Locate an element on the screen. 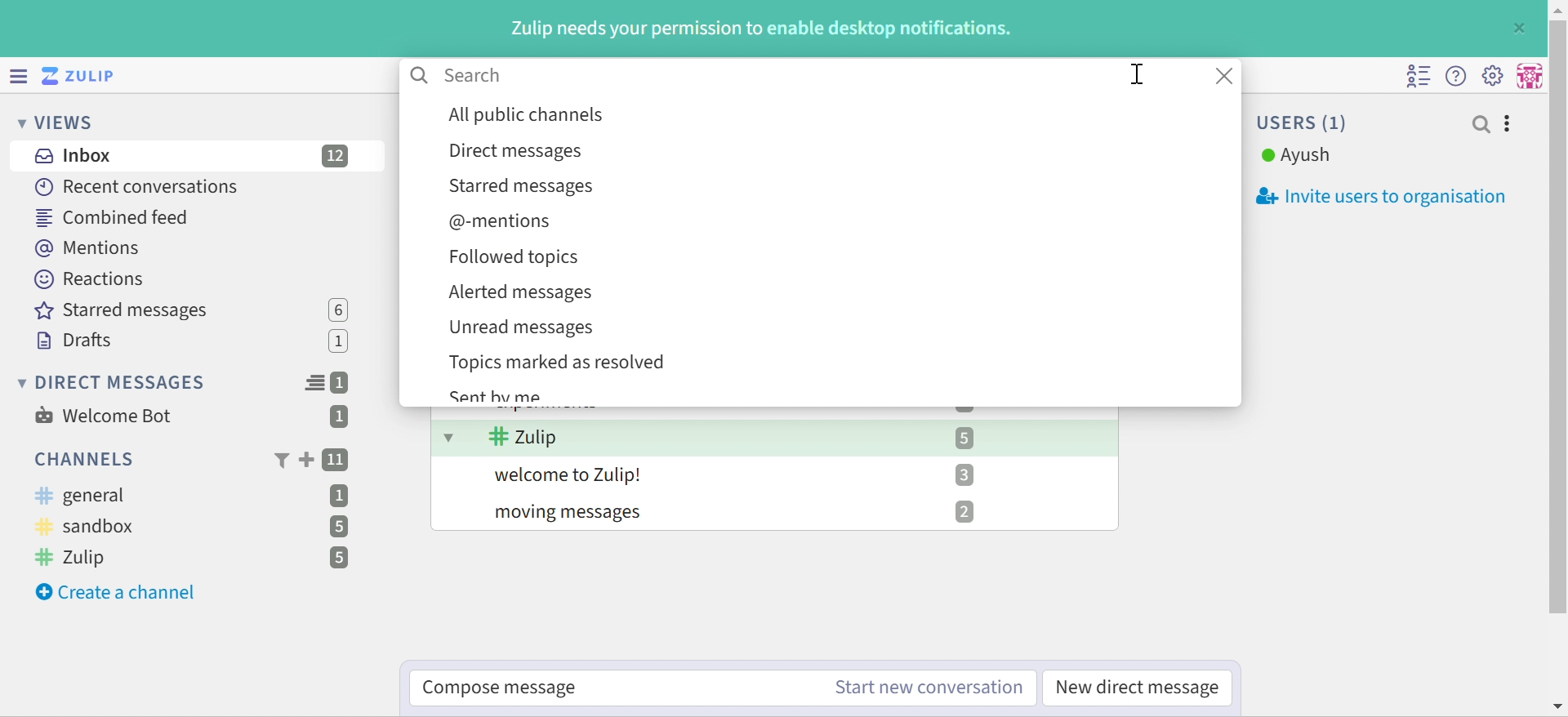 The height and width of the screenshot is (717, 1568). 3 is located at coordinates (963, 474).